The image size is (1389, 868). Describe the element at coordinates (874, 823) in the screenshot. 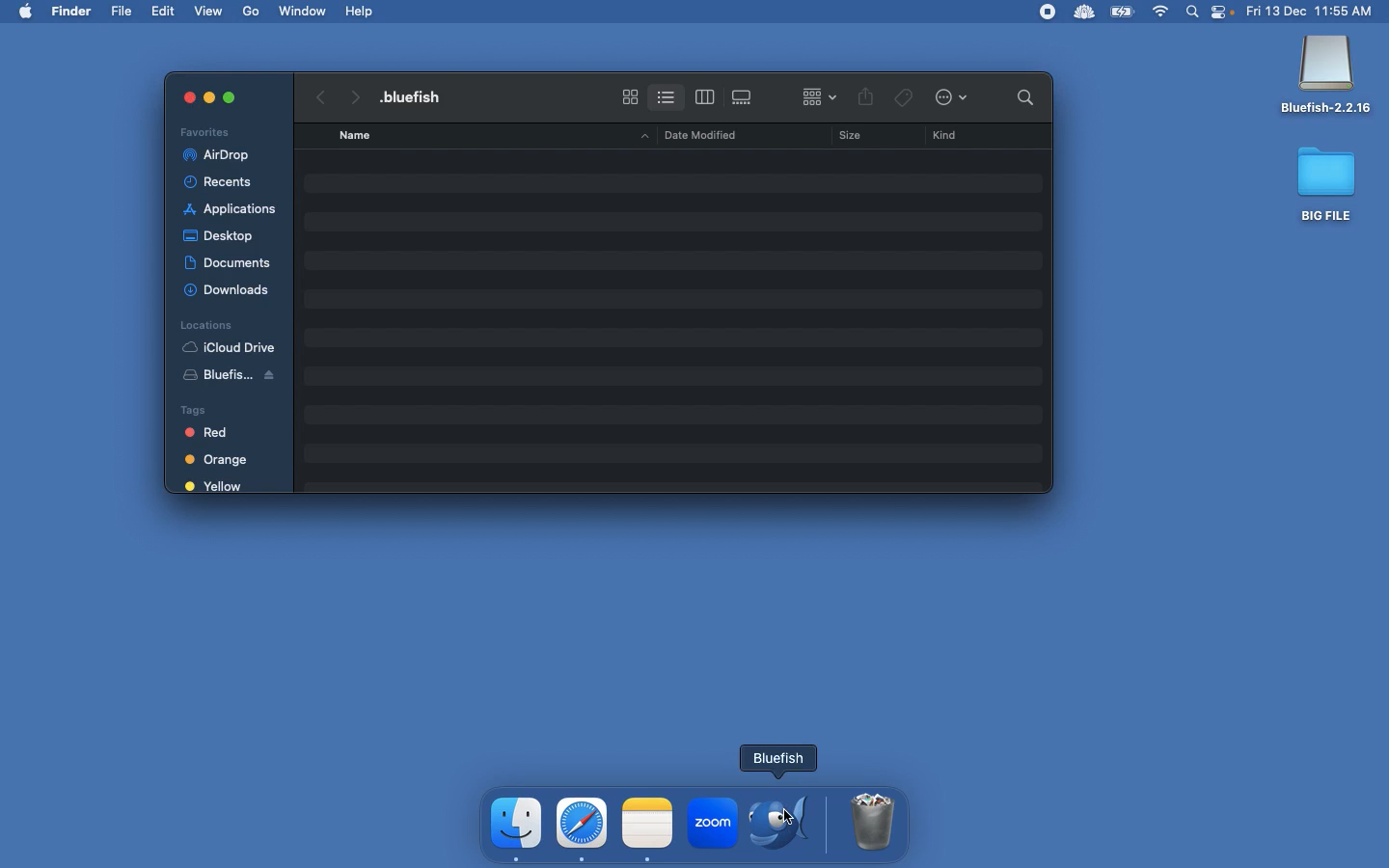

I see `Trash` at that location.